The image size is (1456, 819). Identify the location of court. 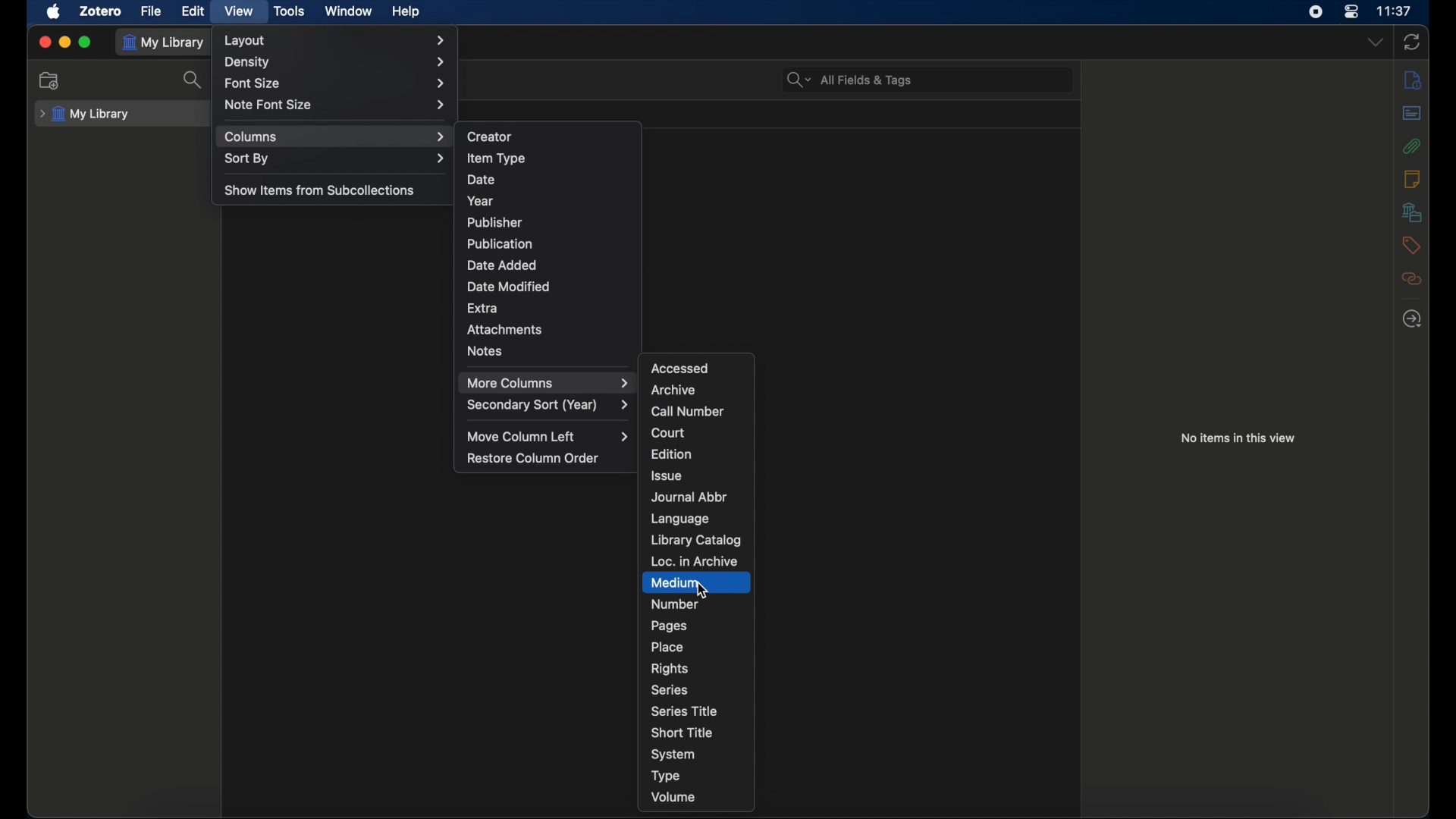
(668, 432).